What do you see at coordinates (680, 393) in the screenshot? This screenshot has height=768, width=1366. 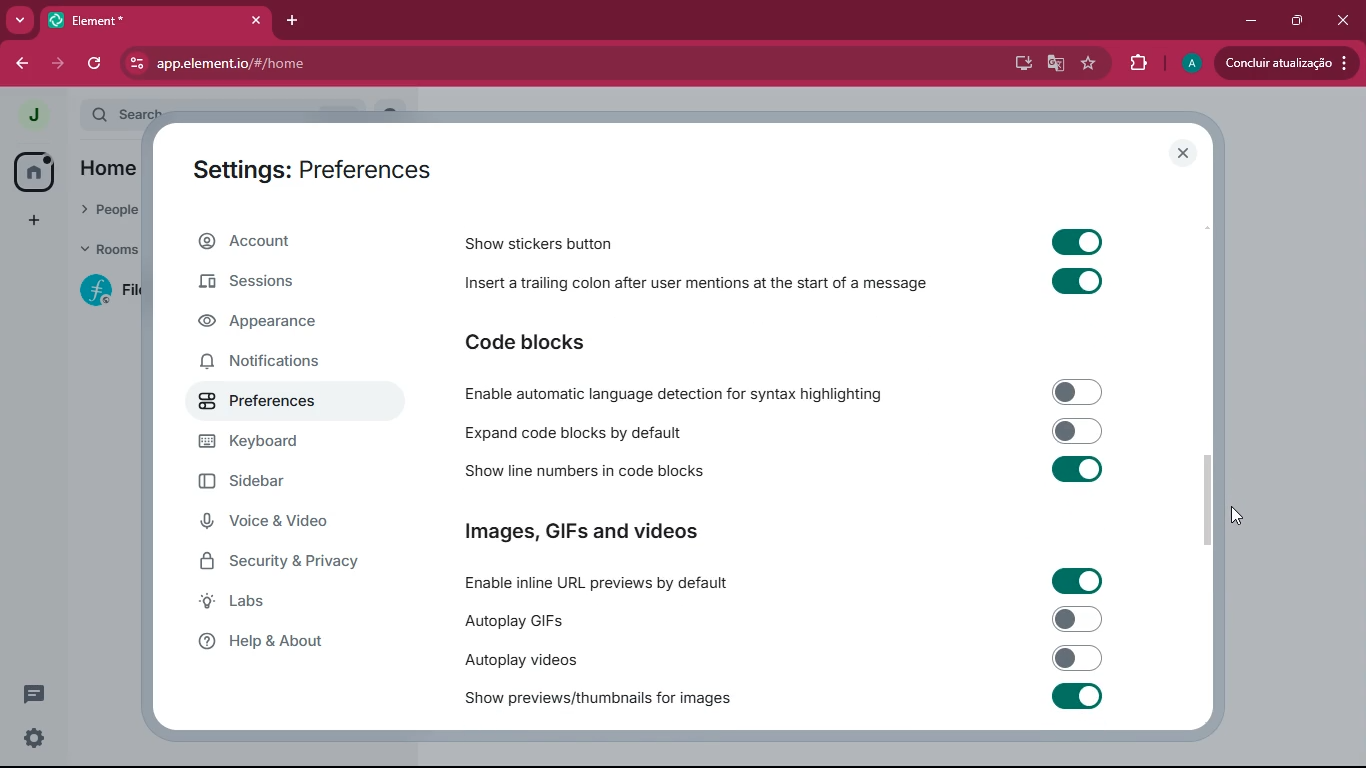 I see `automatic` at bounding box center [680, 393].